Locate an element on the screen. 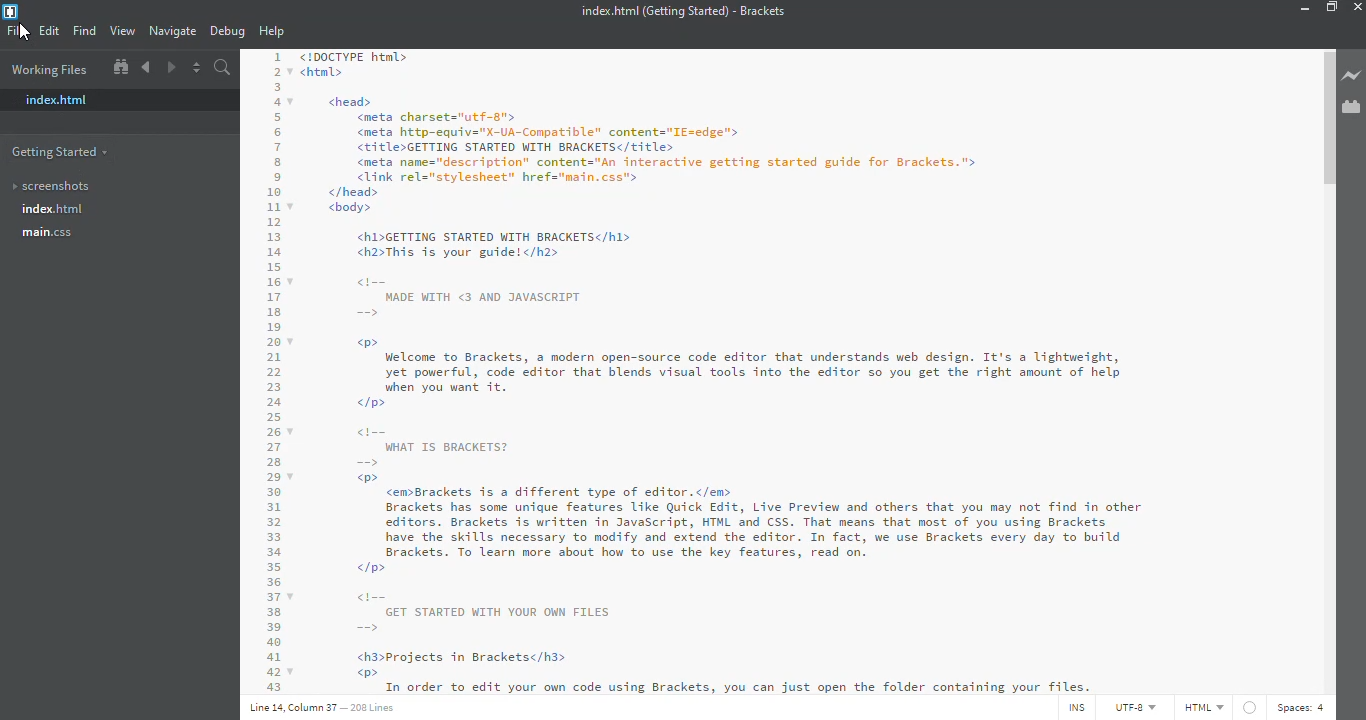 The image size is (1366, 720). find is located at coordinates (86, 30).